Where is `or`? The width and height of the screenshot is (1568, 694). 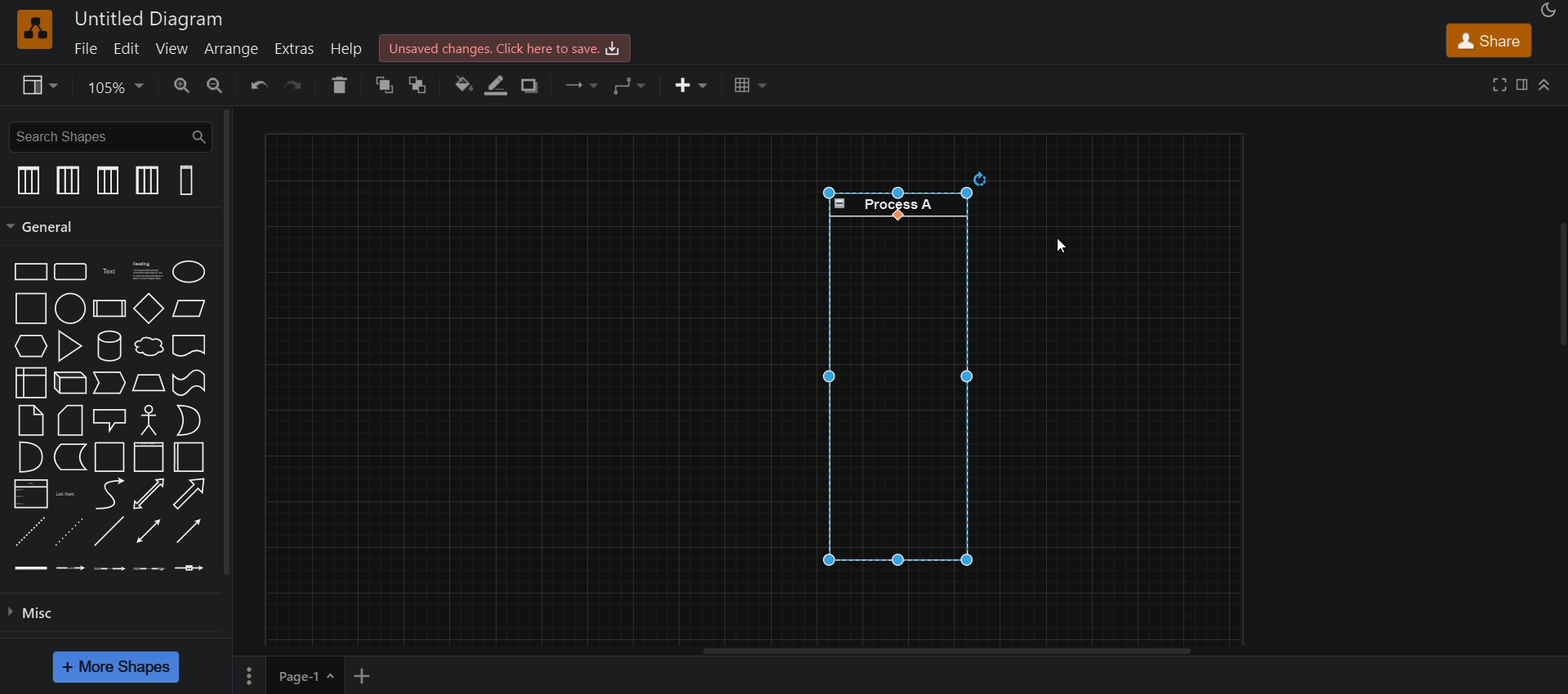
or is located at coordinates (189, 421).